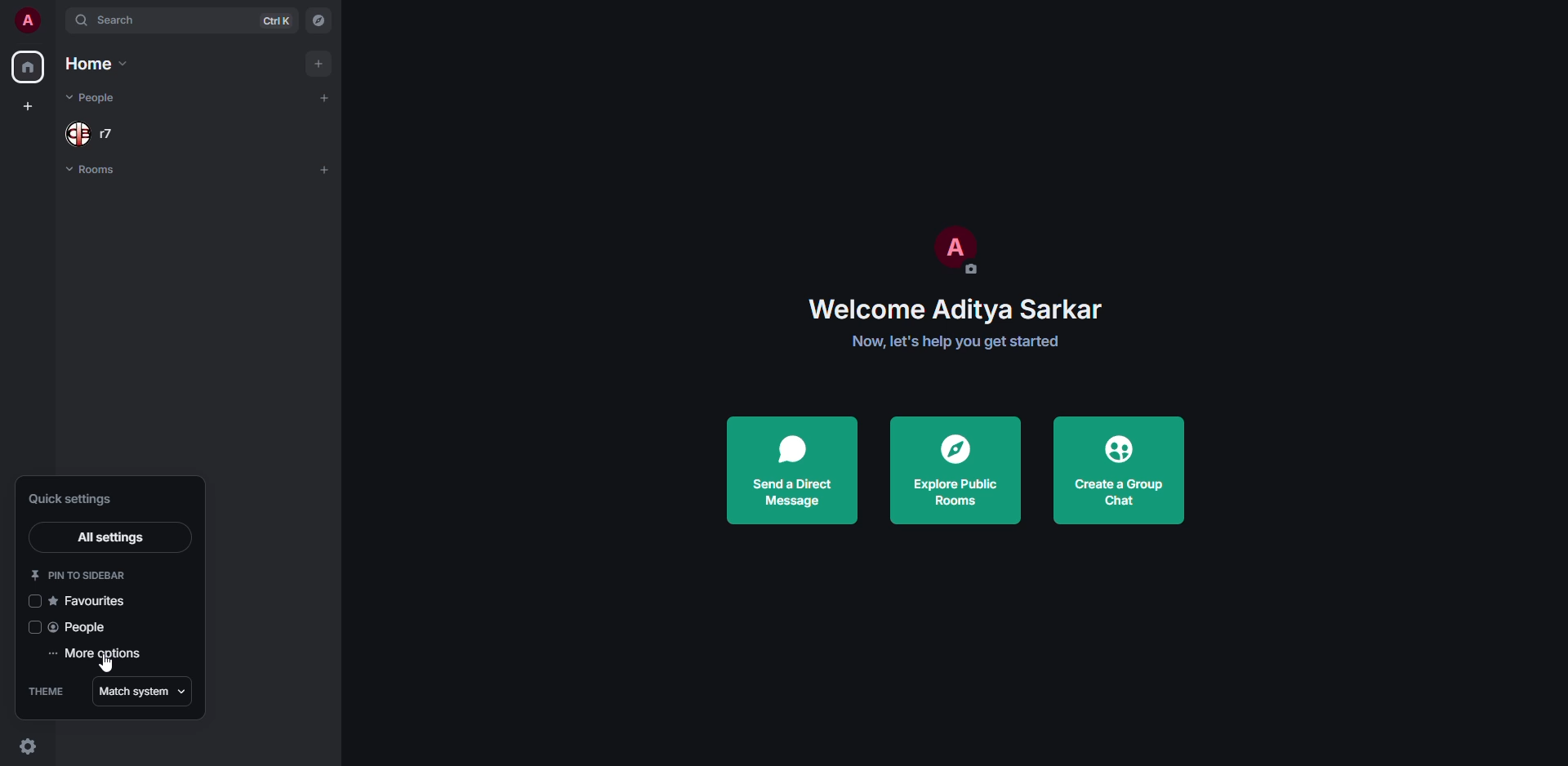 The width and height of the screenshot is (1568, 766). What do you see at coordinates (275, 20) in the screenshot?
I see `ctrl K` at bounding box center [275, 20].